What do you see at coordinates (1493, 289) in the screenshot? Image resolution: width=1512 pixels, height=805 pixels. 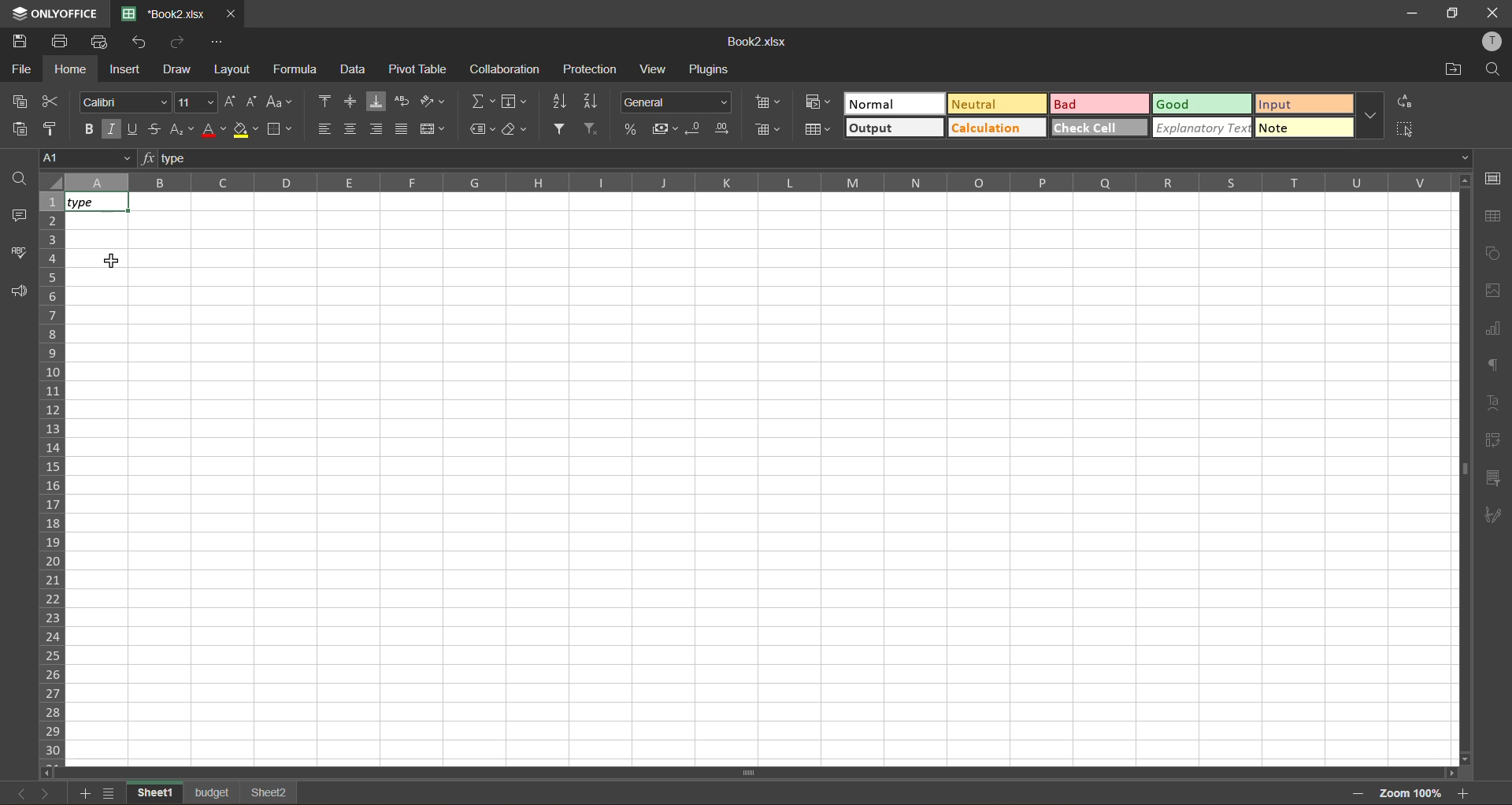 I see `images` at bounding box center [1493, 289].